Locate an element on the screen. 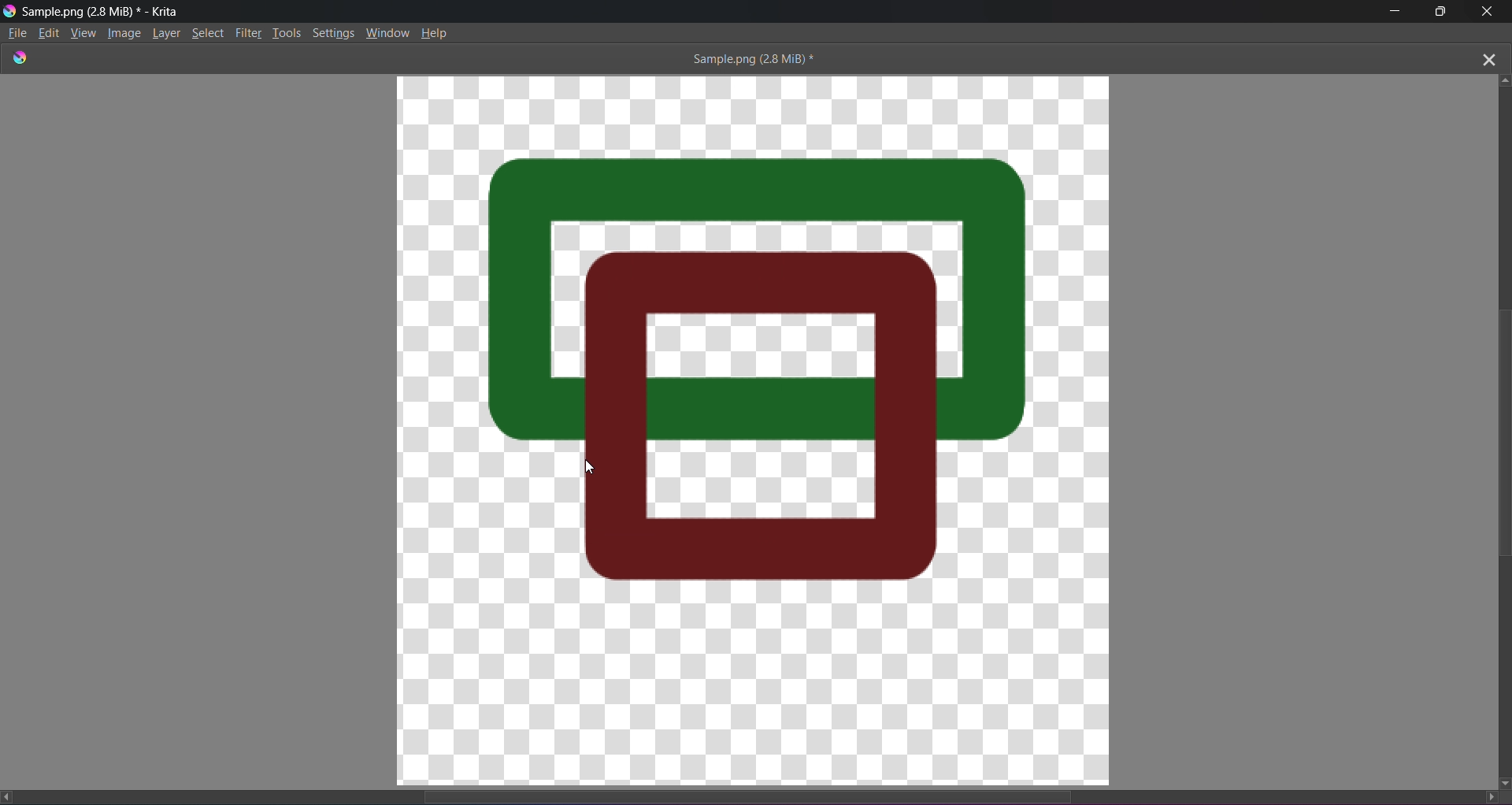 Image resolution: width=1512 pixels, height=805 pixels. Layer is located at coordinates (169, 32).